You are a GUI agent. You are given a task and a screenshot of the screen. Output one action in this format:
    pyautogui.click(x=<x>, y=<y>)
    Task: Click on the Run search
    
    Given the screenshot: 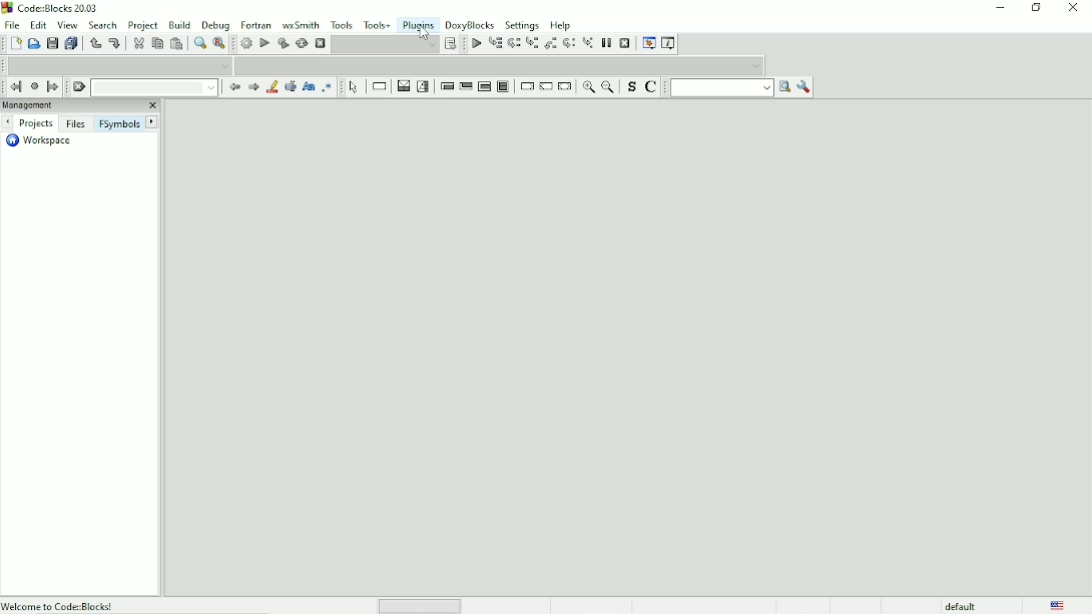 What is the action you would take?
    pyautogui.click(x=784, y=88)
    